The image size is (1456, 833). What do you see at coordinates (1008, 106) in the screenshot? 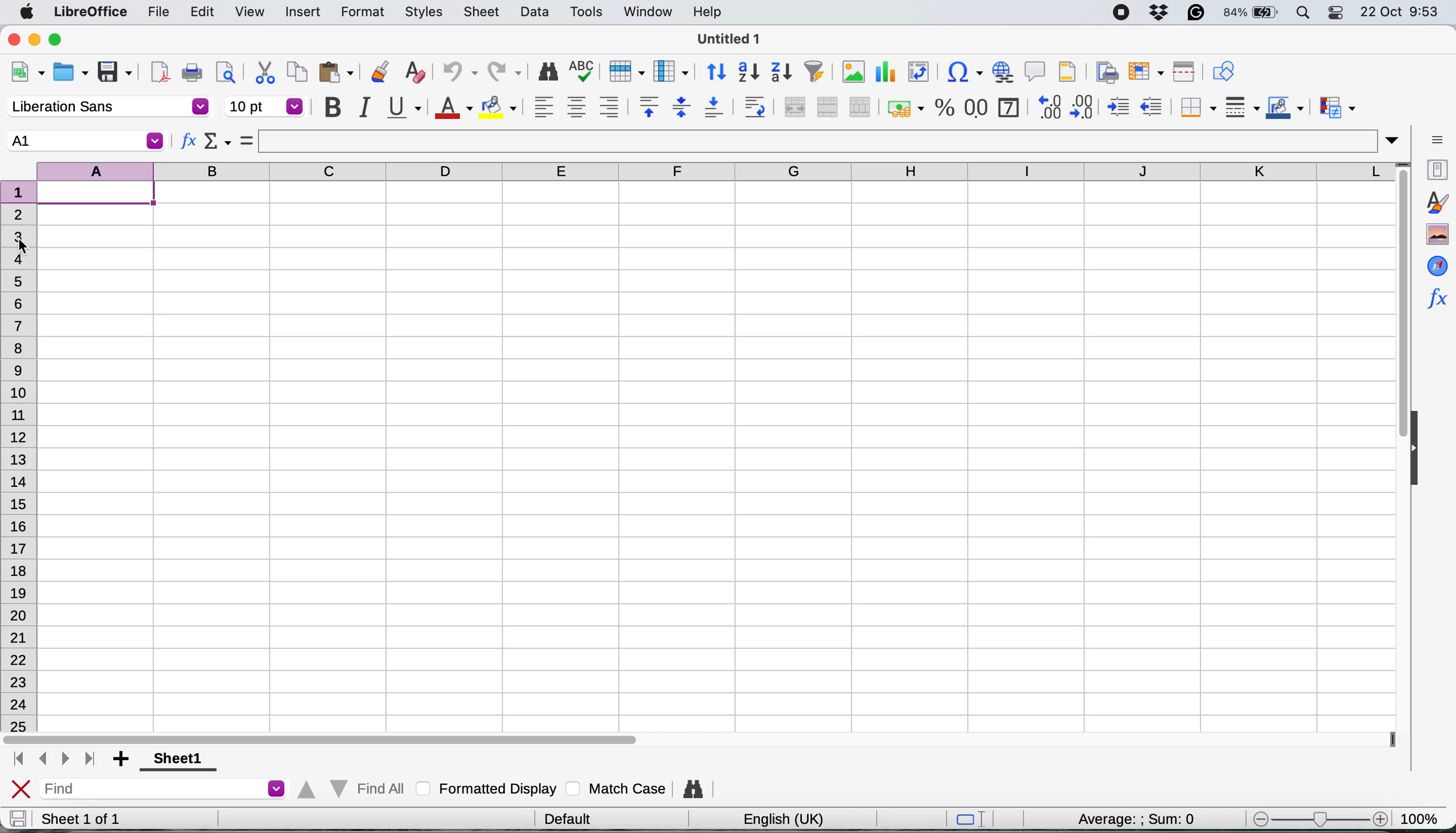
I see `format as date` at bounding box center [1008, 106].